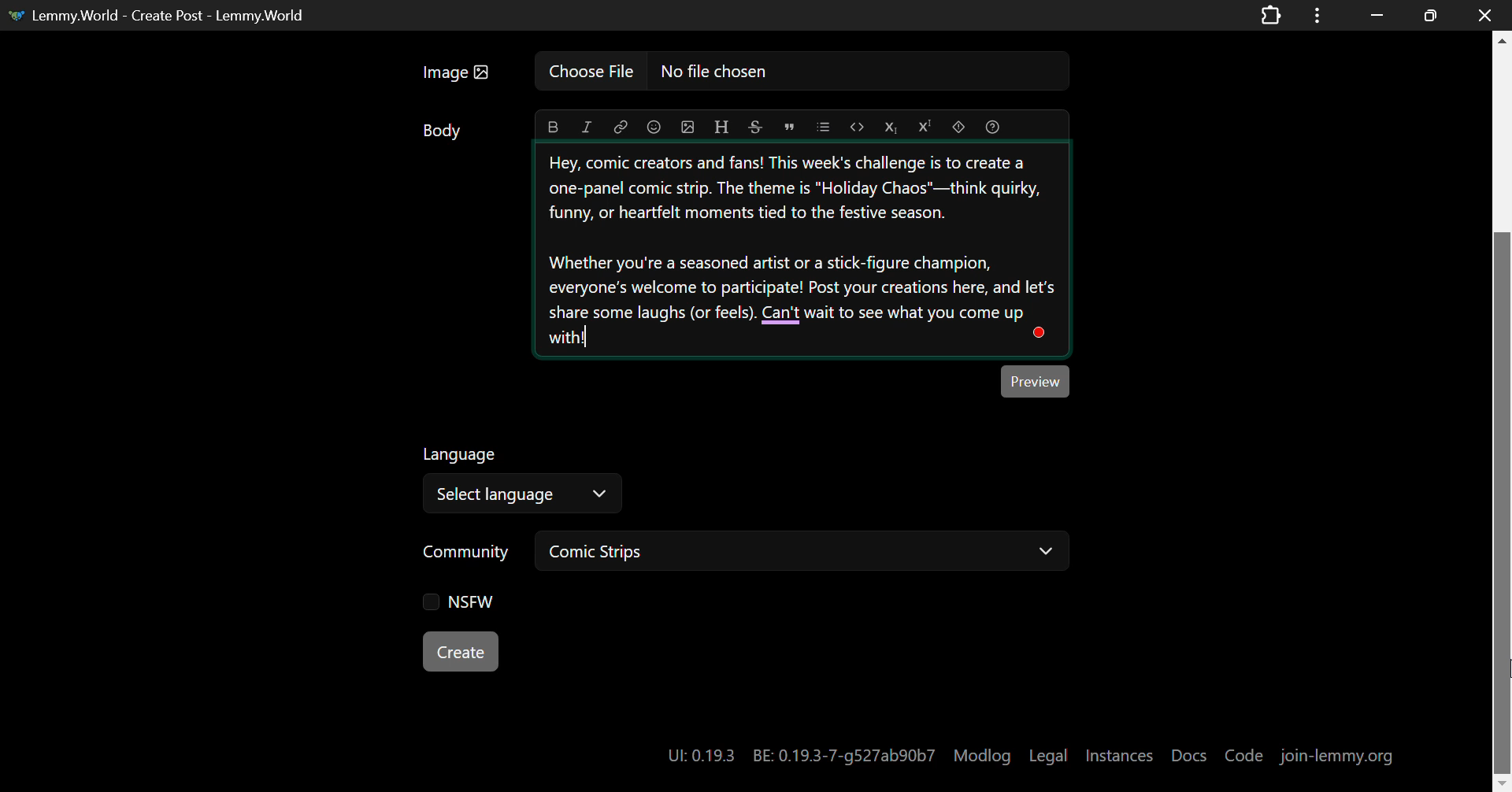 The height and width of the screenshot is (792, 1512). I want to click on Preview, so click(1036, 381).